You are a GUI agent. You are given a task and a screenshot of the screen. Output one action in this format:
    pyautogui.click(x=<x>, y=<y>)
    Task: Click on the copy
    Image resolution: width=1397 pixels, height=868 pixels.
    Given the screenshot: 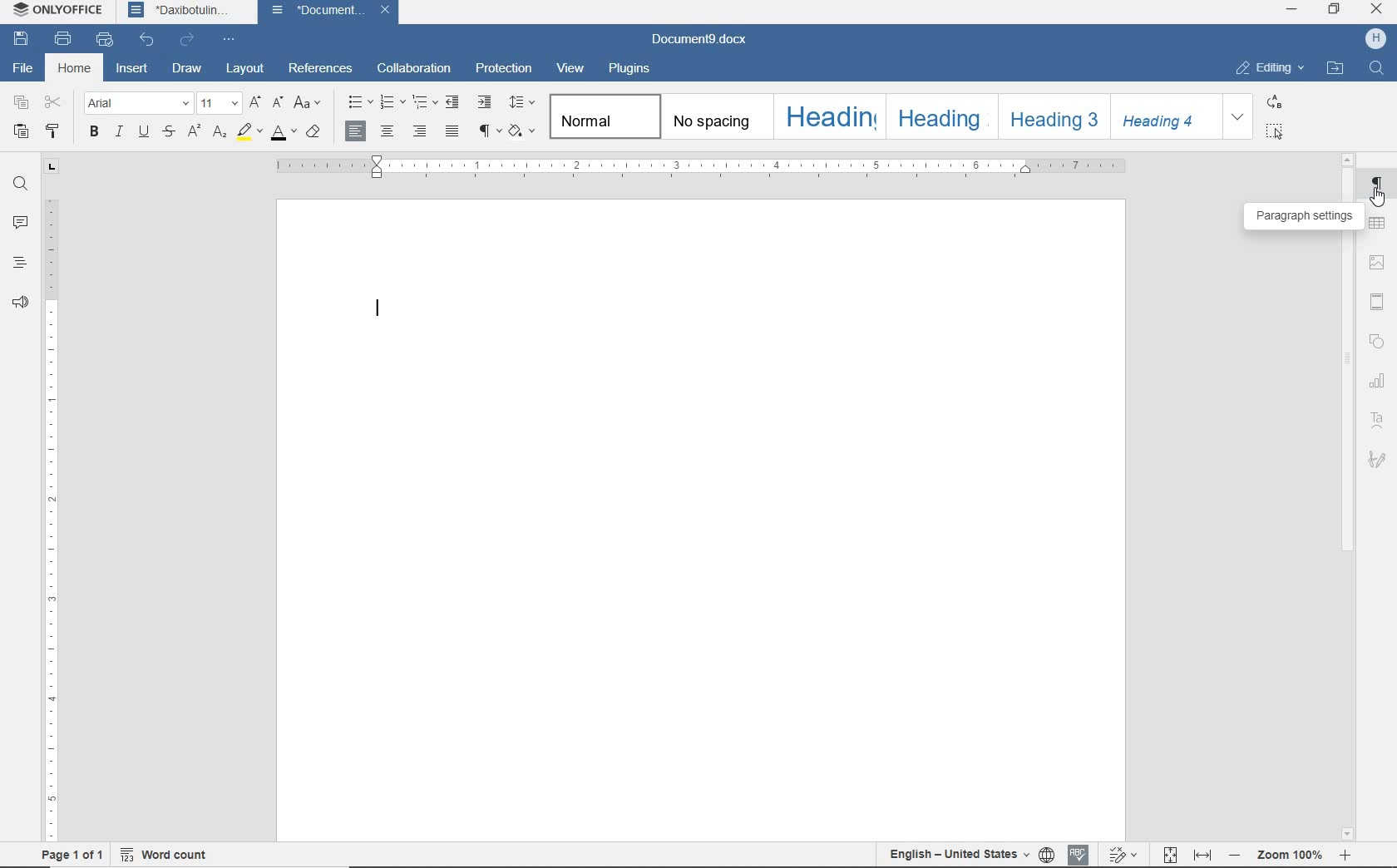 What is the action you would take?
    pyautogui.click(x=20, y=103)
    